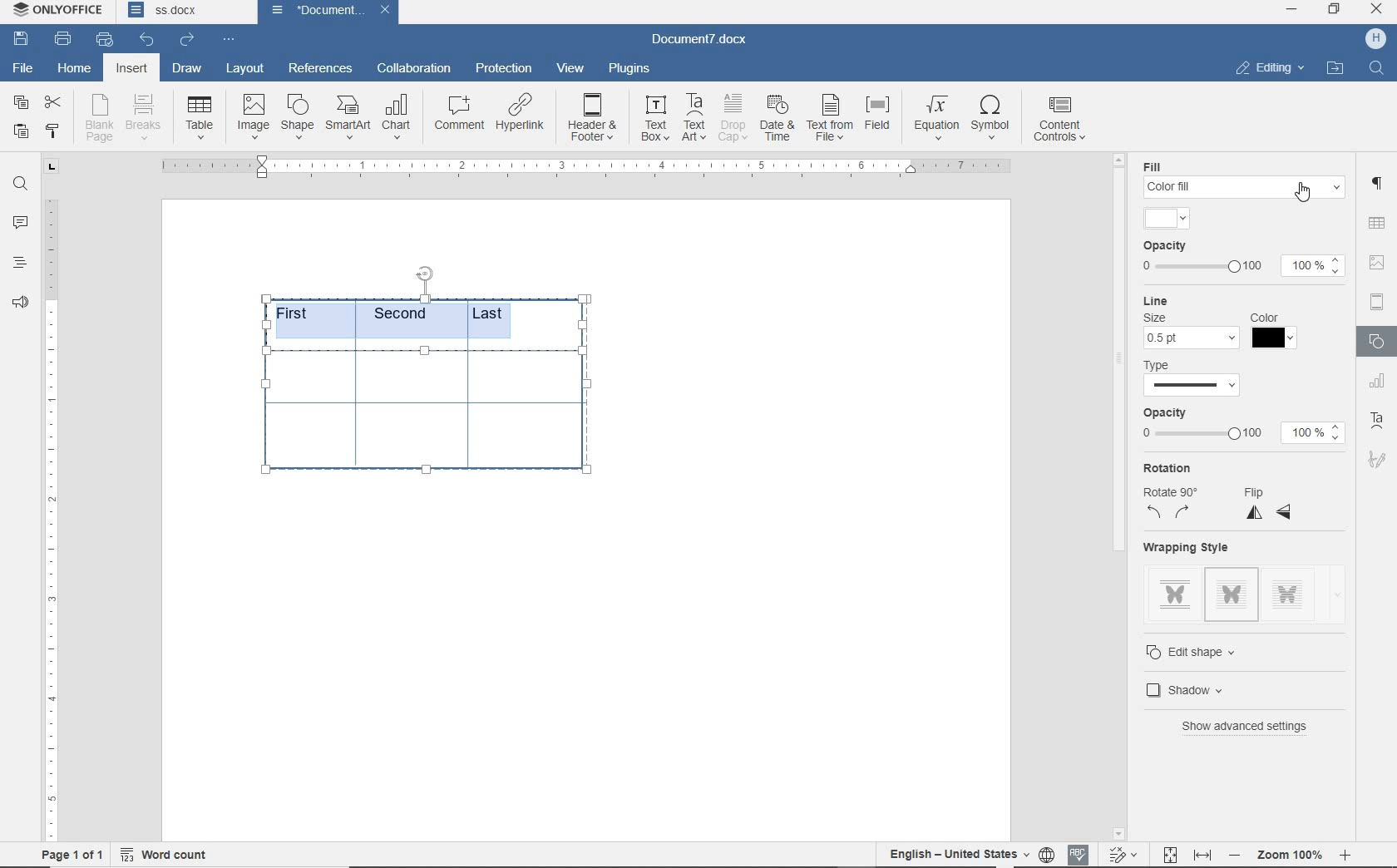 The height and width of the screenshot is (868, 1397). I want to click on document names, so click(185, 12).